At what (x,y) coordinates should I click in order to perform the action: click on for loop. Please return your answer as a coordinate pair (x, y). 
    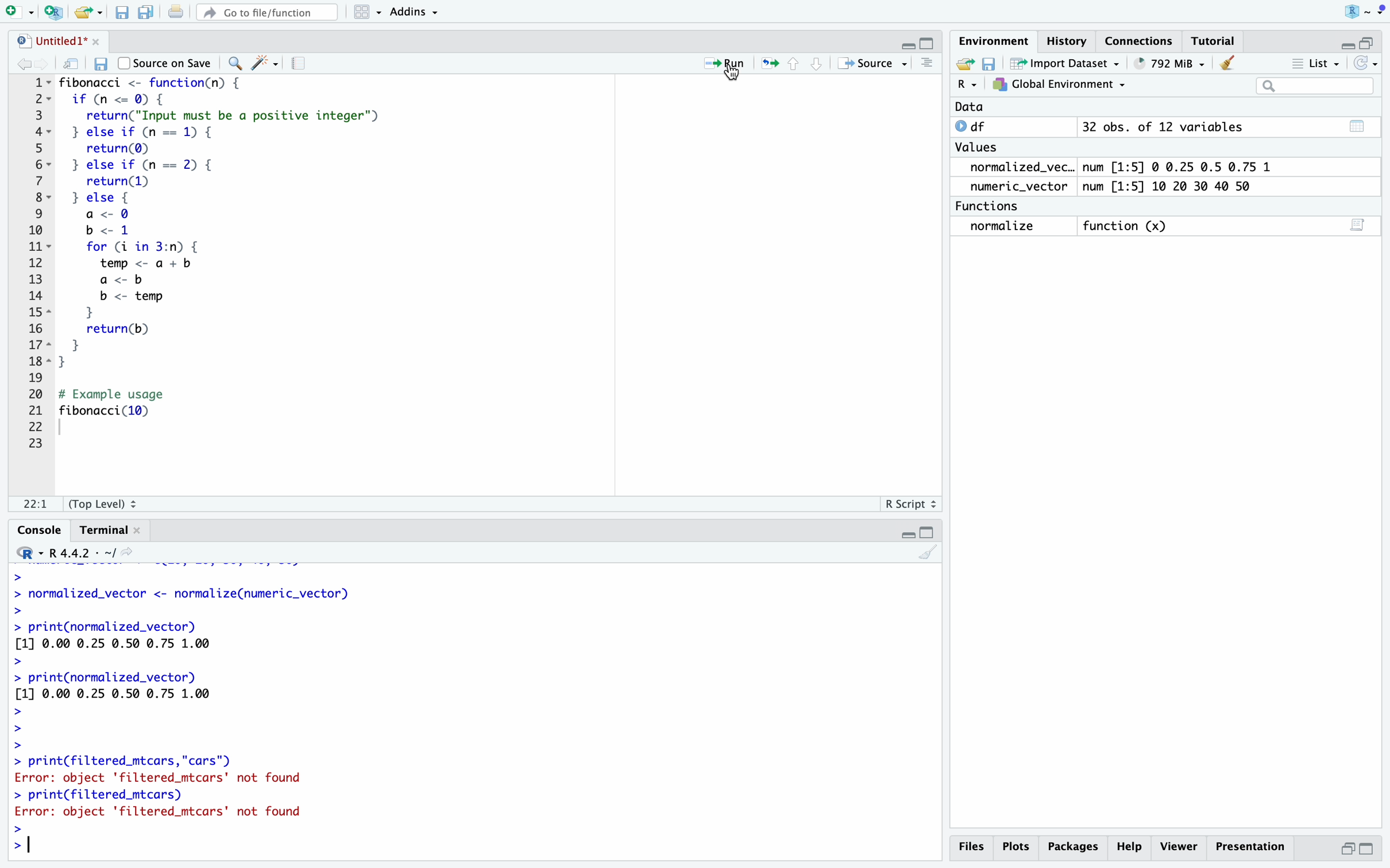
    Looking at the image, I should click on (159, 305).